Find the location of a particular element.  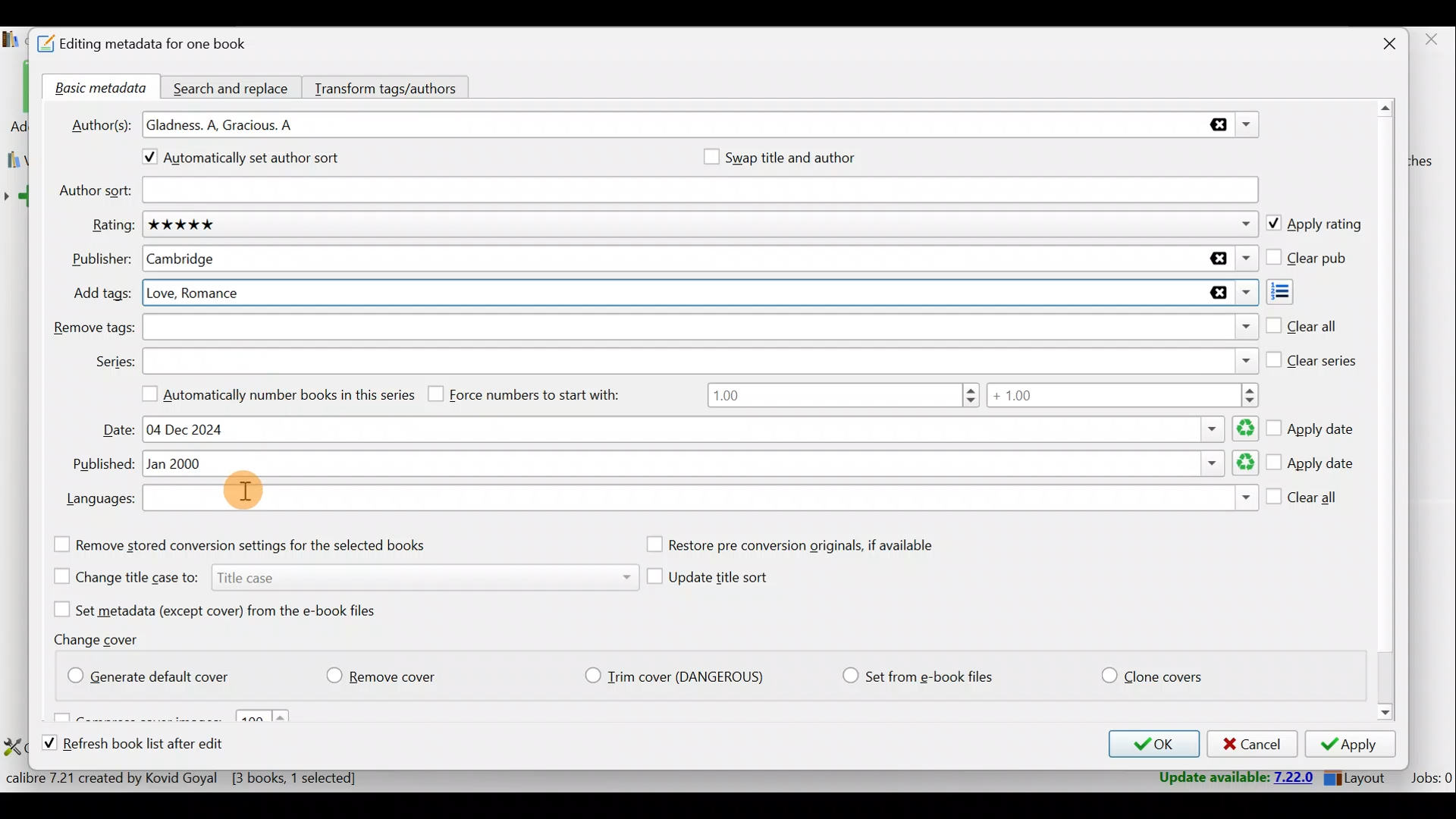

Author sort: is located at coordinates (93, 191).